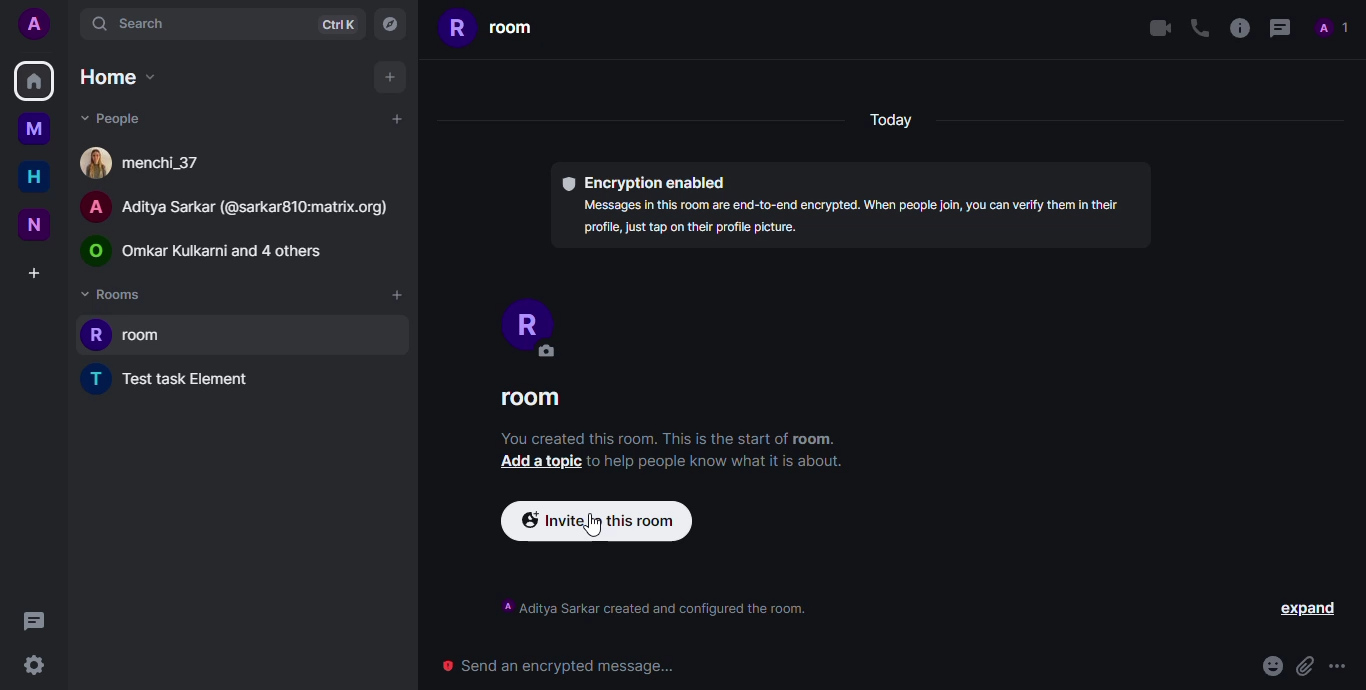 The image size is (1366, 690). Describe the element at coordinates (33, 81) in the screenshot. I see `home` at that location.